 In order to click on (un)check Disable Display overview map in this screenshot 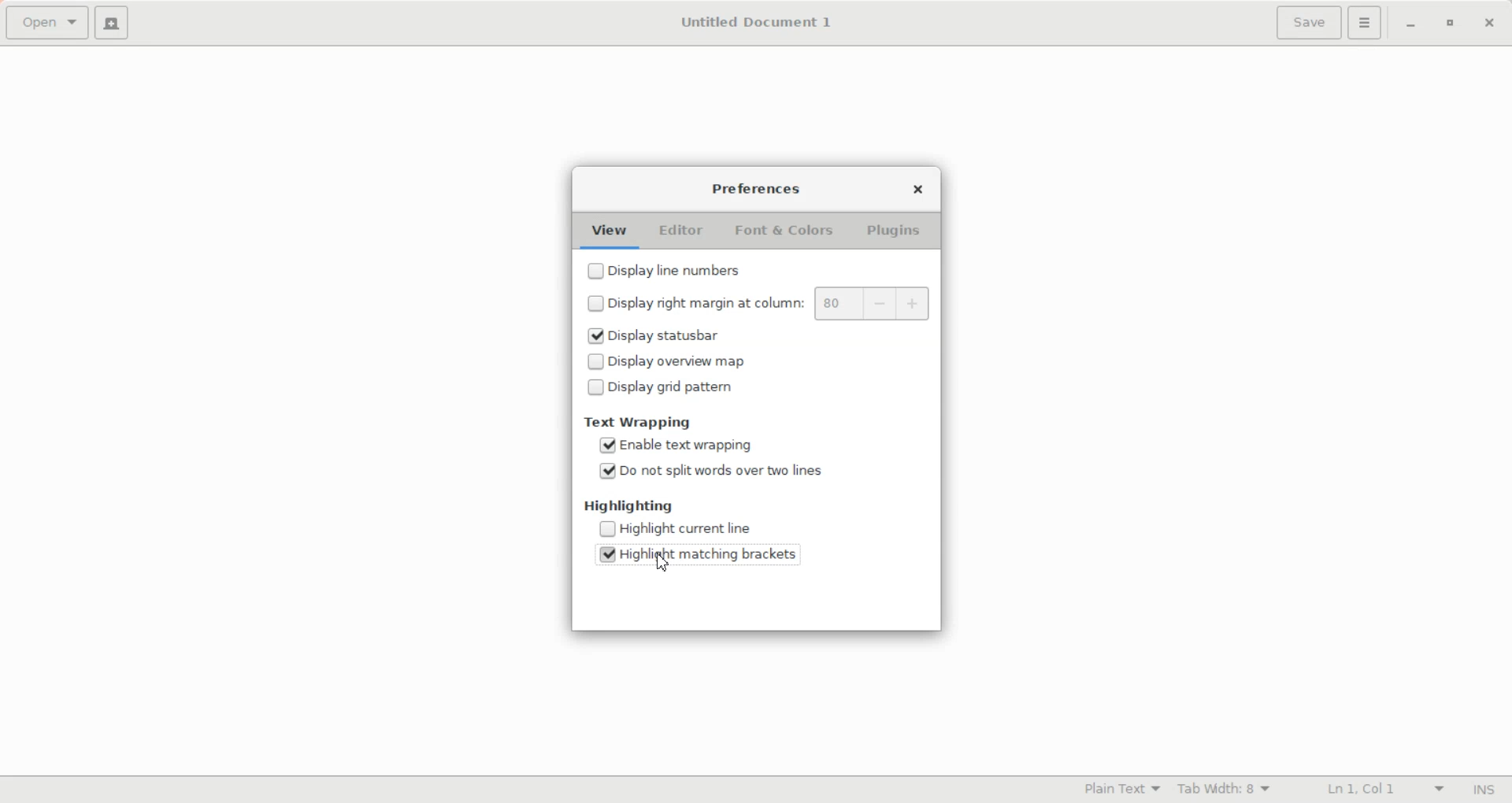, I will do `click(721, 360)`.